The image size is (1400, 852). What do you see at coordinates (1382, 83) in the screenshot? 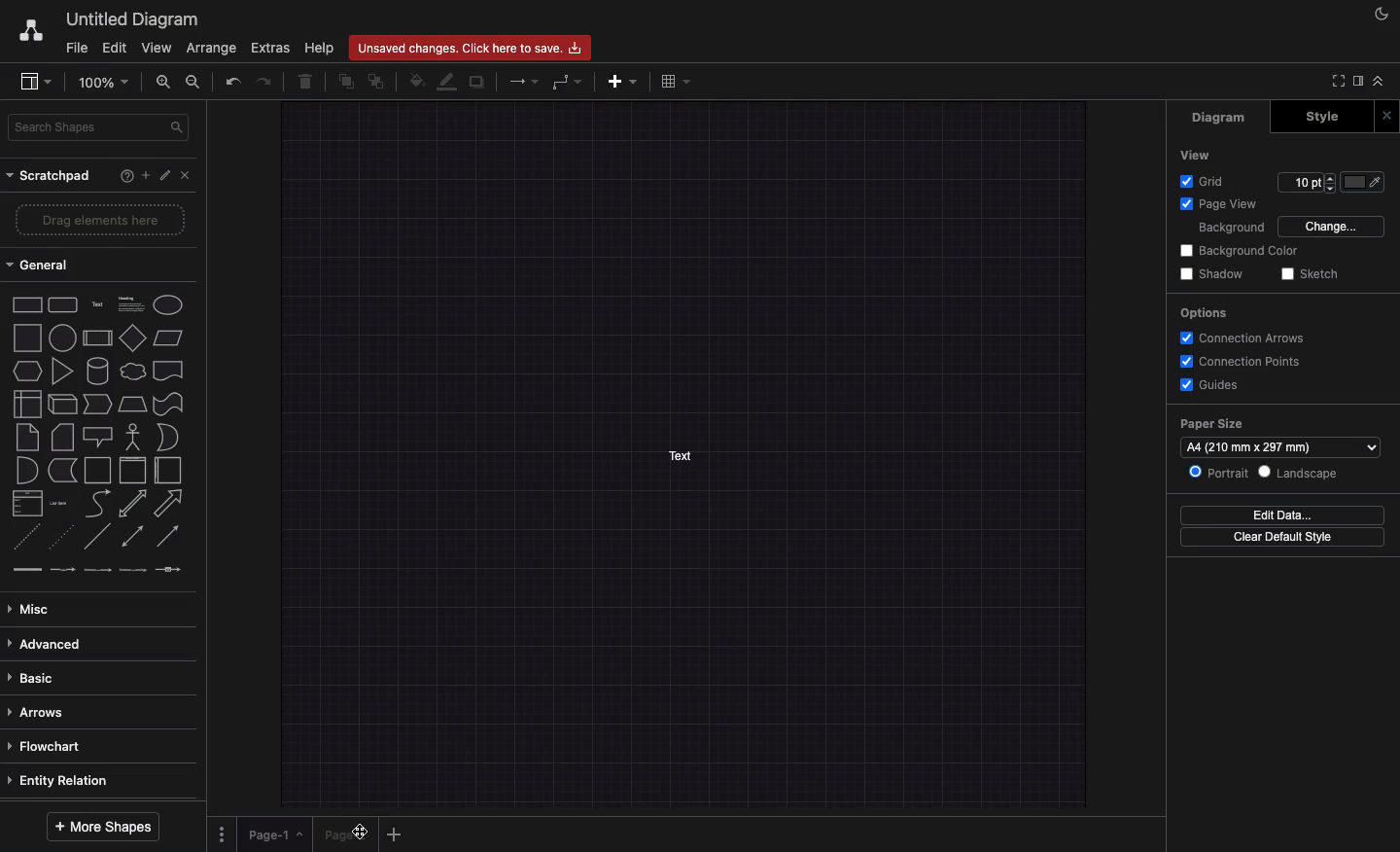
I see `Collapse` at bounding box center [1382, 83].